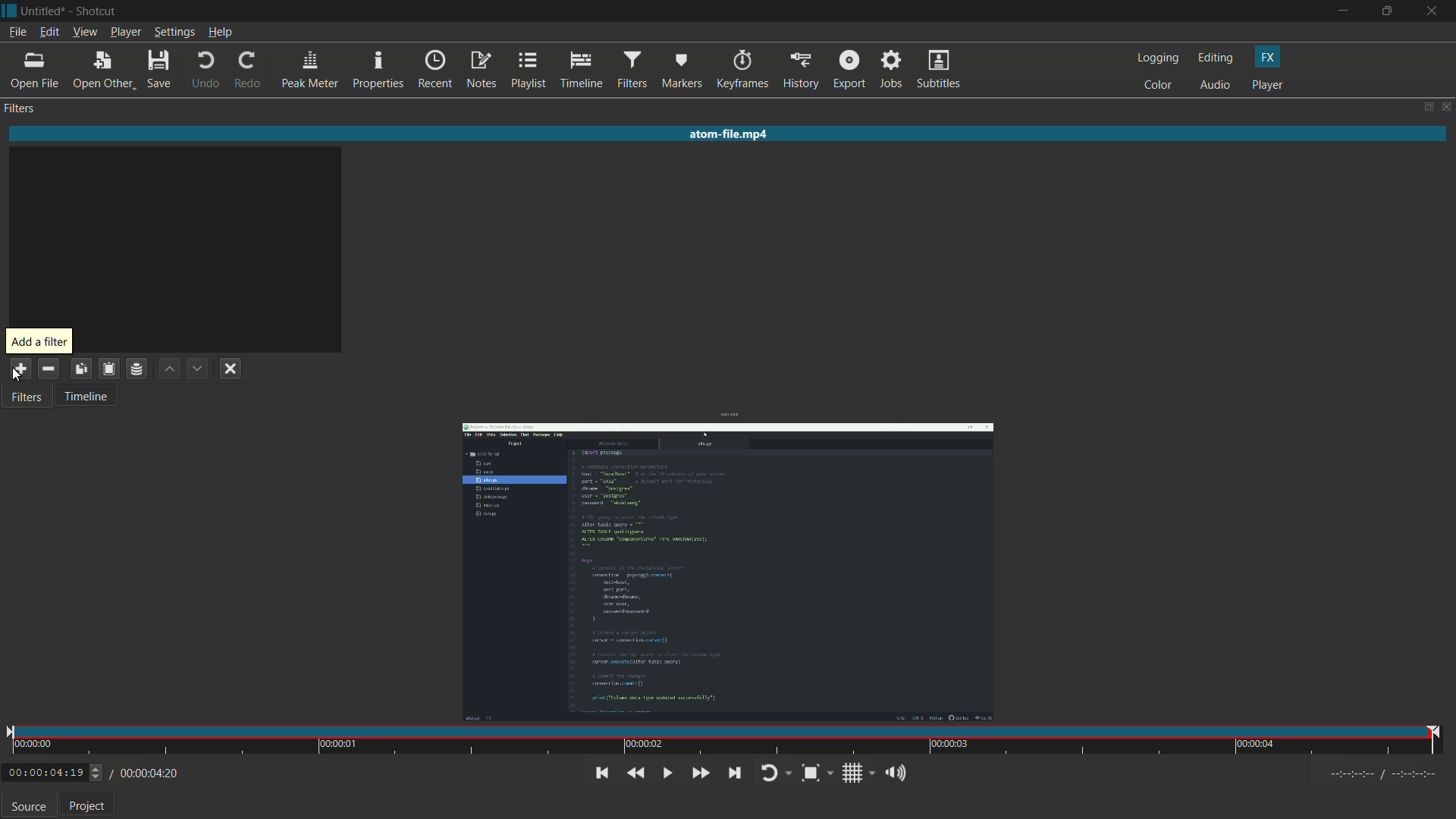  What do you see at coordinates (858, 774) in the screenshot?
I see `toggle grid display` at bounding box center [858, 774].